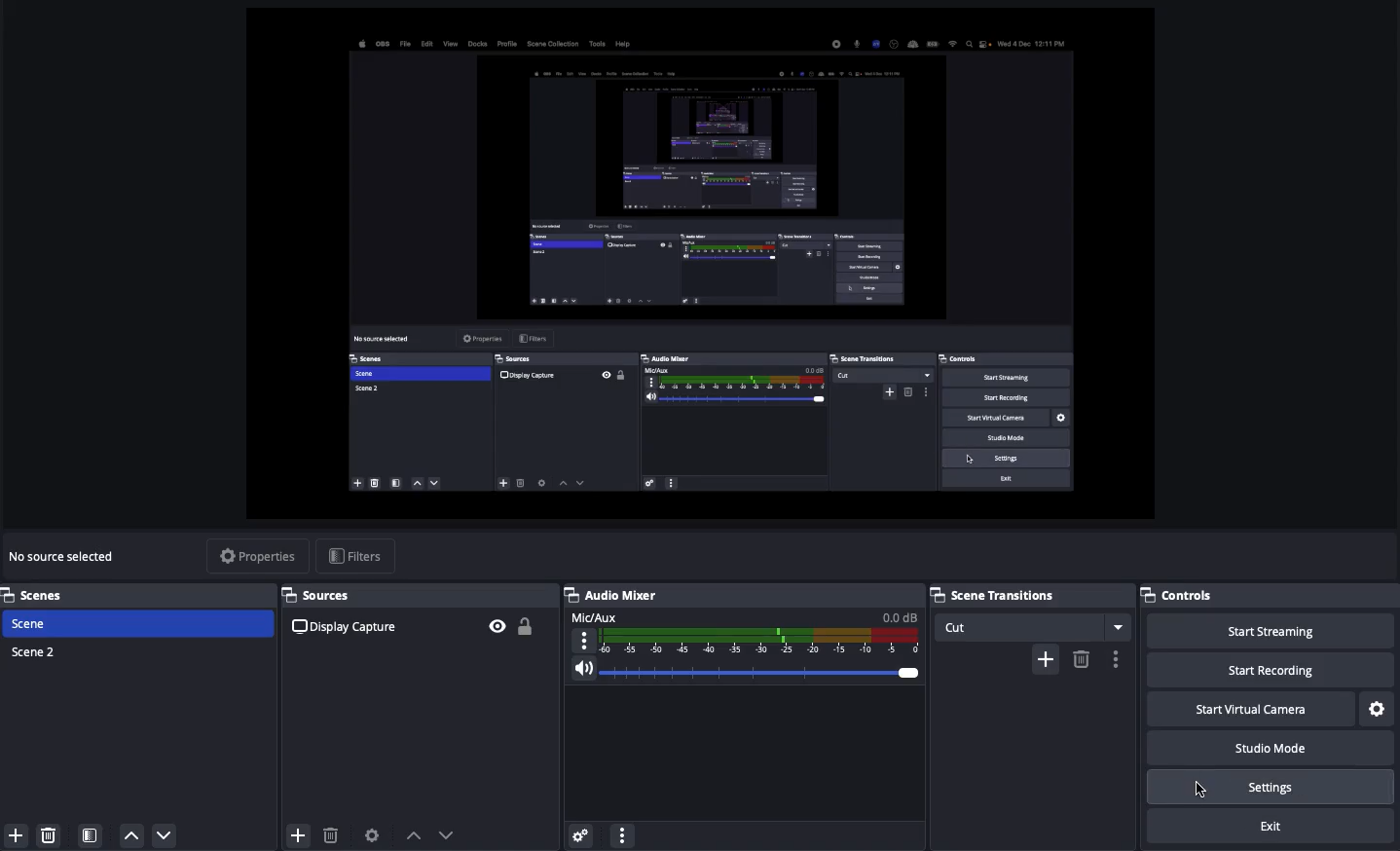  What do you see at coordinates (1271, 631) in the screenshot?
I see `Start streaming` at bounding box center [1271, 631].